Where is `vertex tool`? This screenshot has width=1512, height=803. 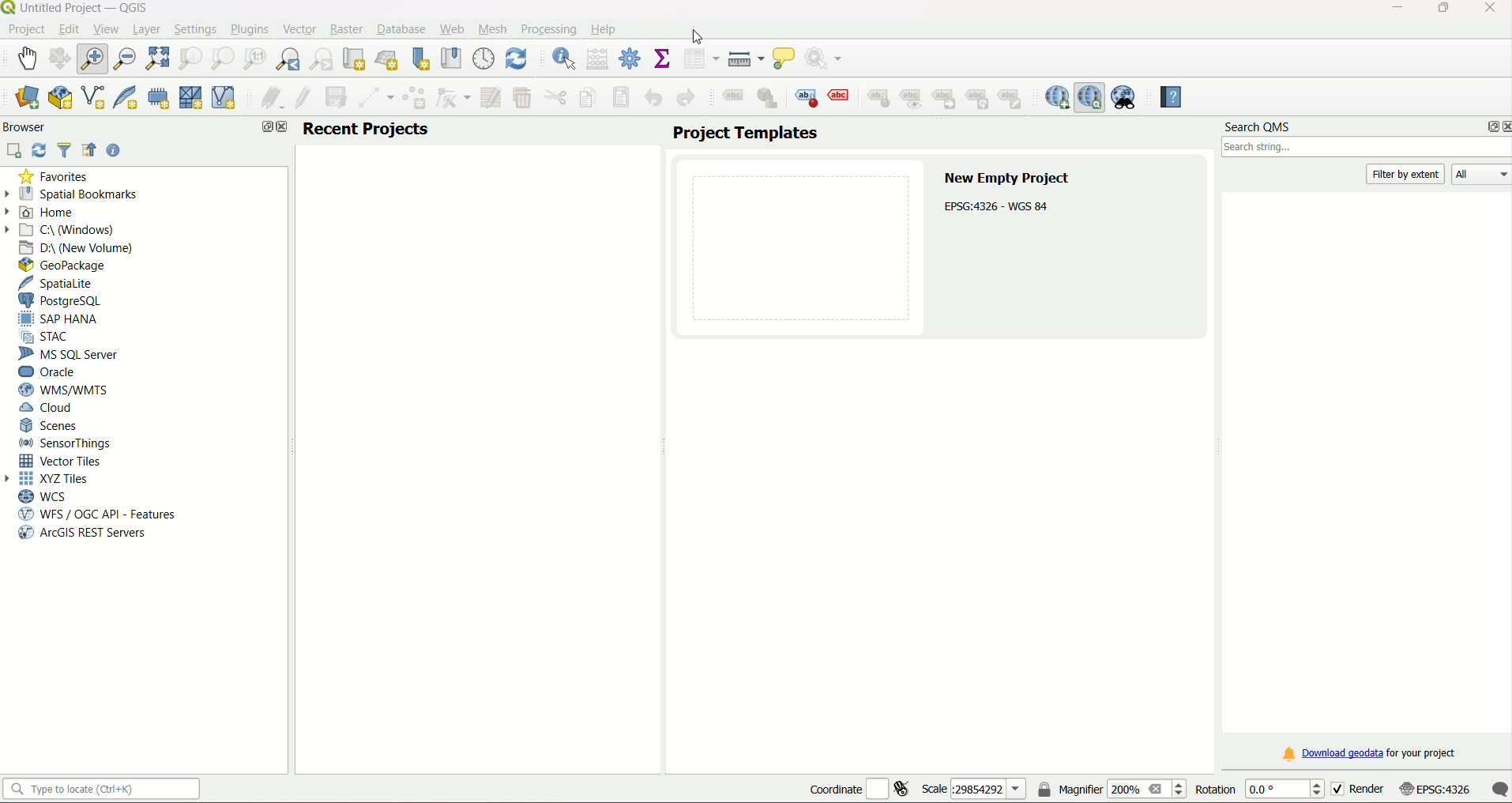 vertex tool is located at coordinates (453, 97).